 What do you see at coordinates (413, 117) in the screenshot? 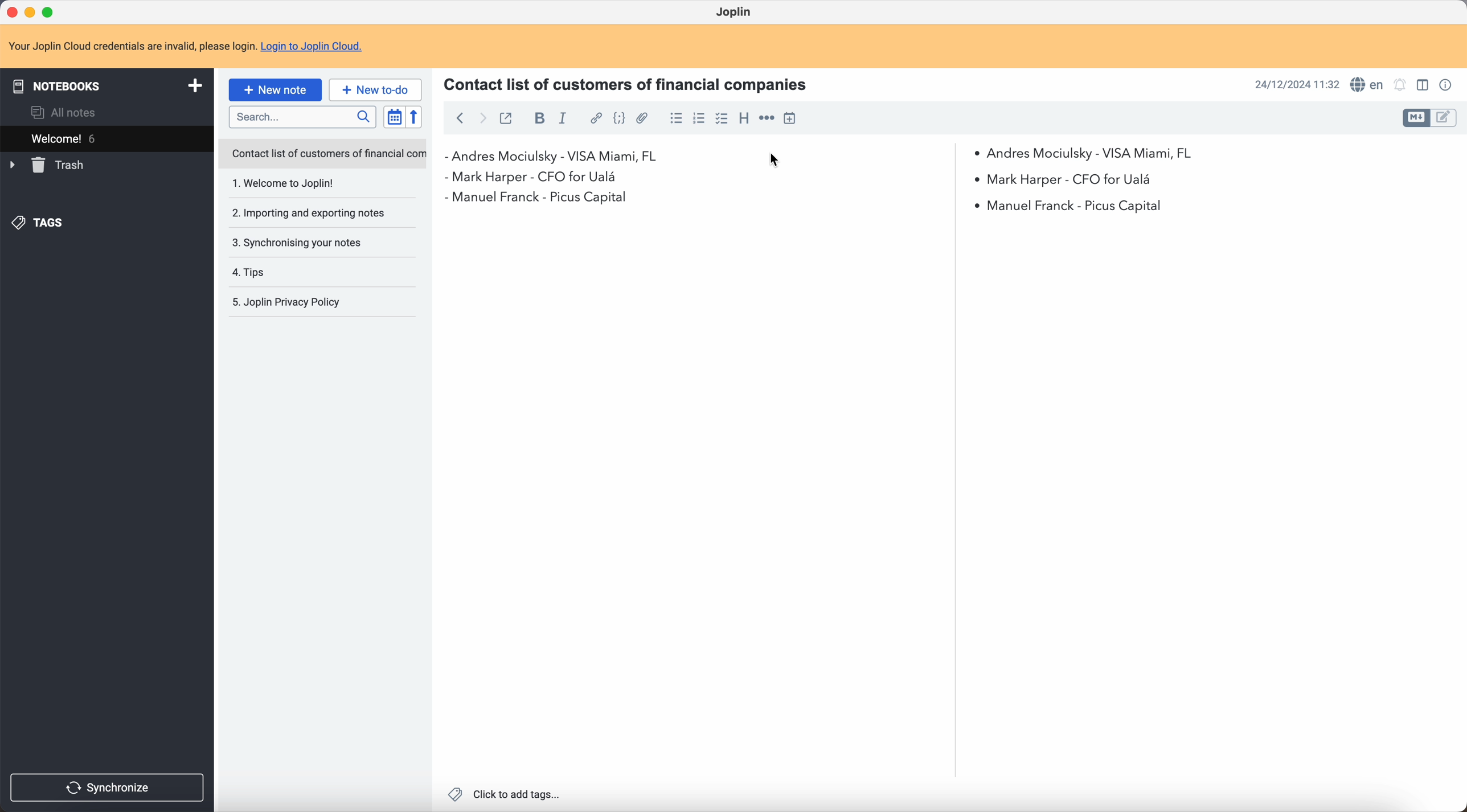
I see `reverse sort order` at bounding box center [413, 117].